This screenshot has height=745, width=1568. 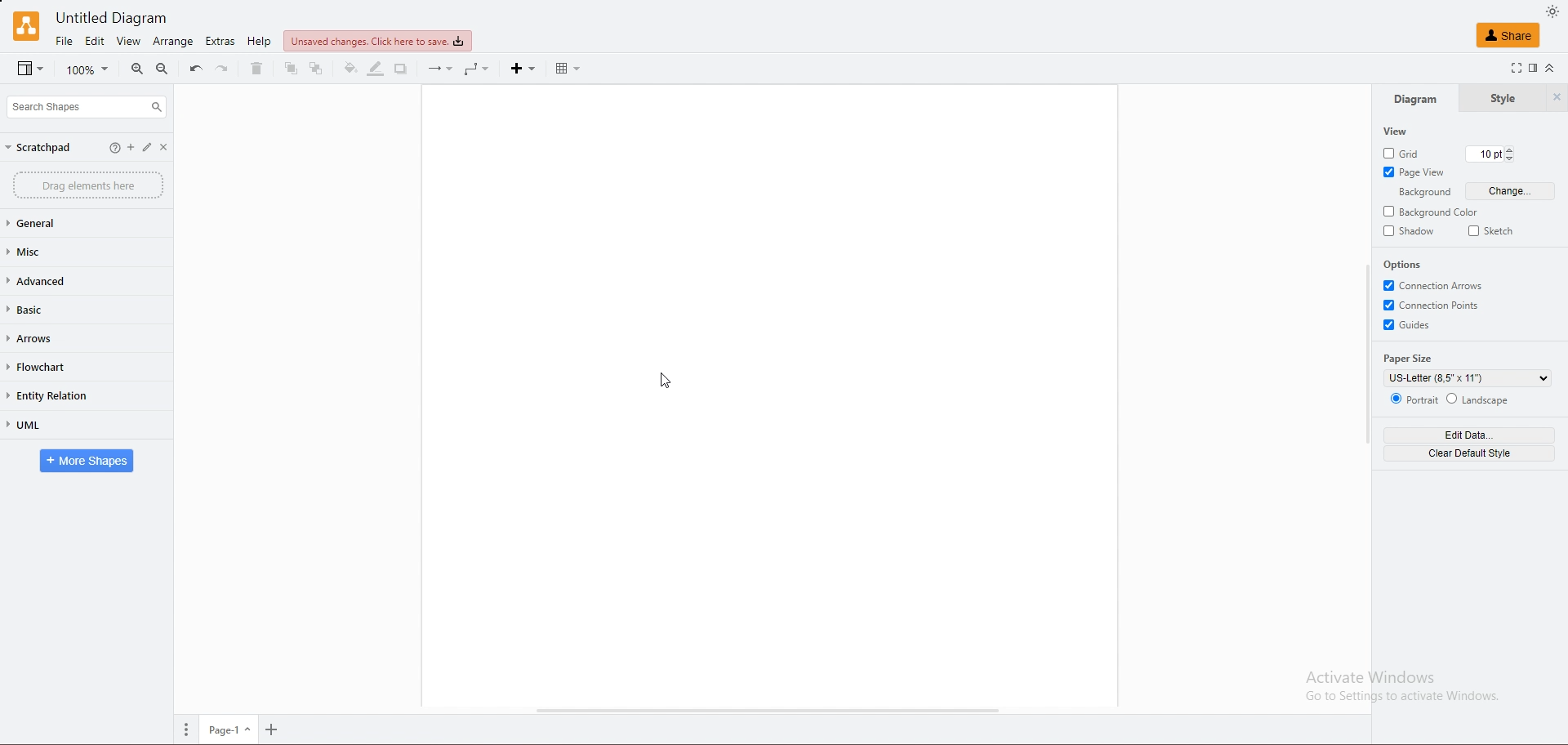 I want to click on clear default style, so click(x=1470, y=453).